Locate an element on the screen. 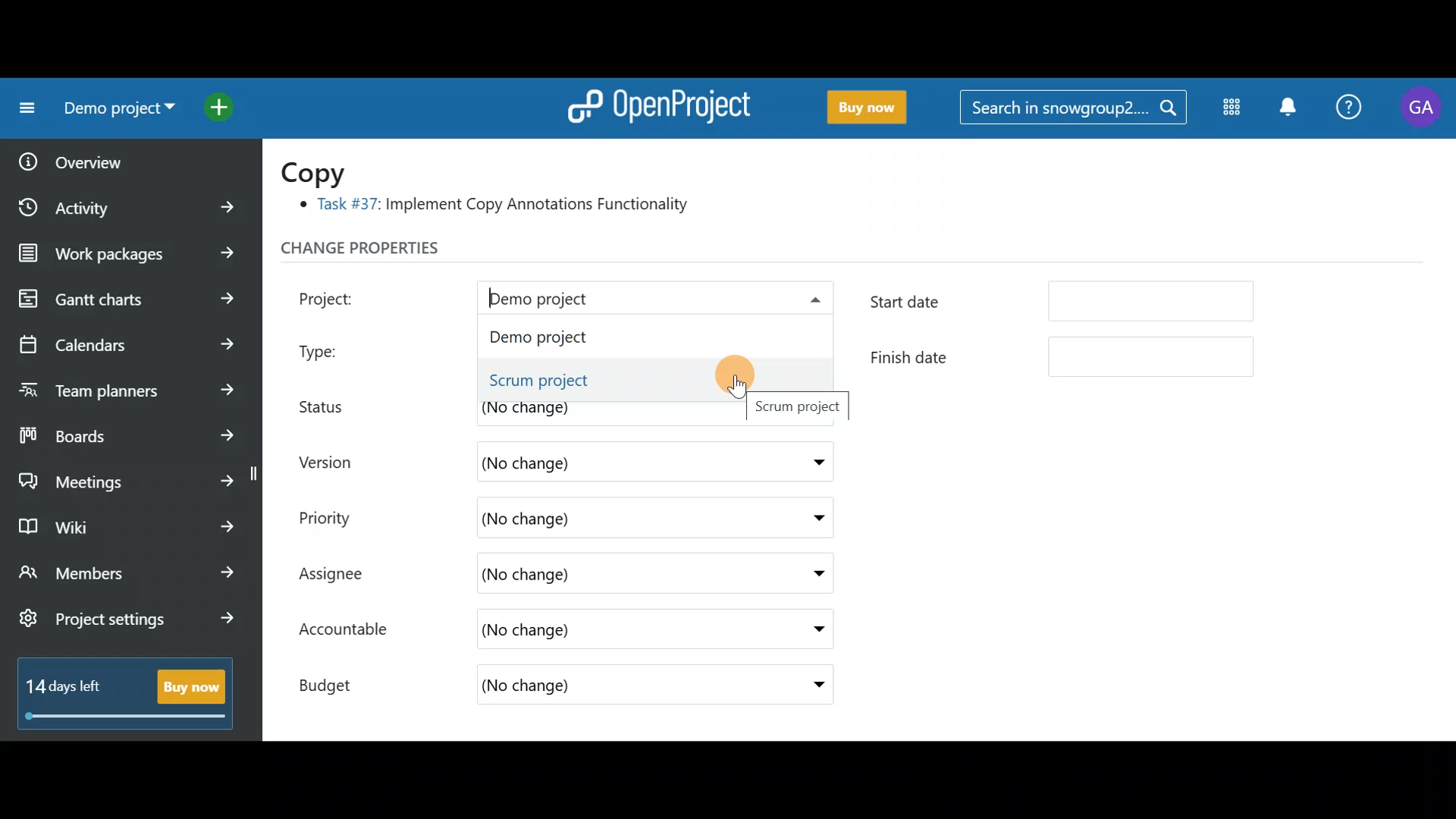  Project is located at coordinates (345, 297).